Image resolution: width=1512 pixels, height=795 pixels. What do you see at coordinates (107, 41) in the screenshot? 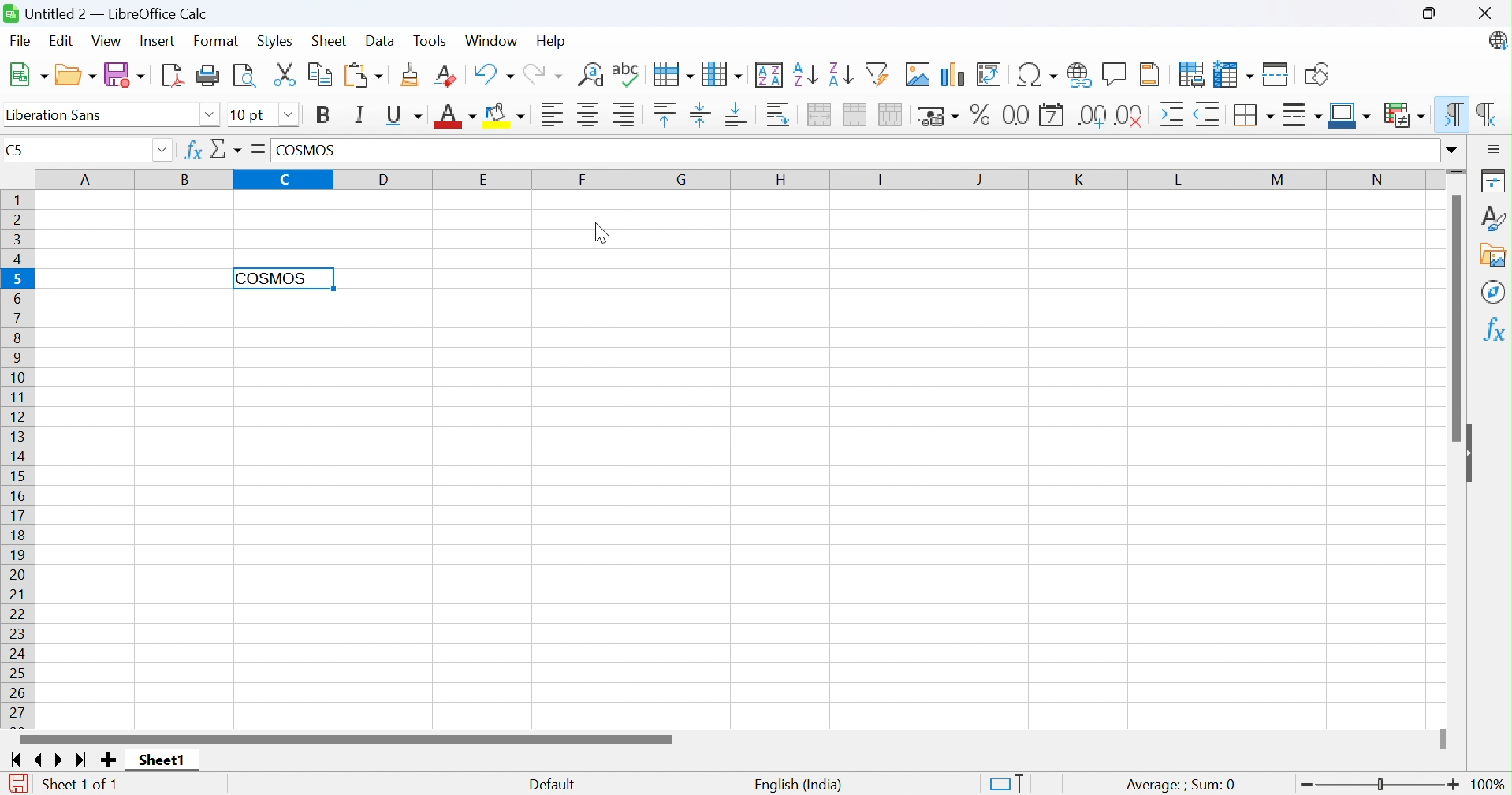
I see `View` at bounding box center [107, 41].